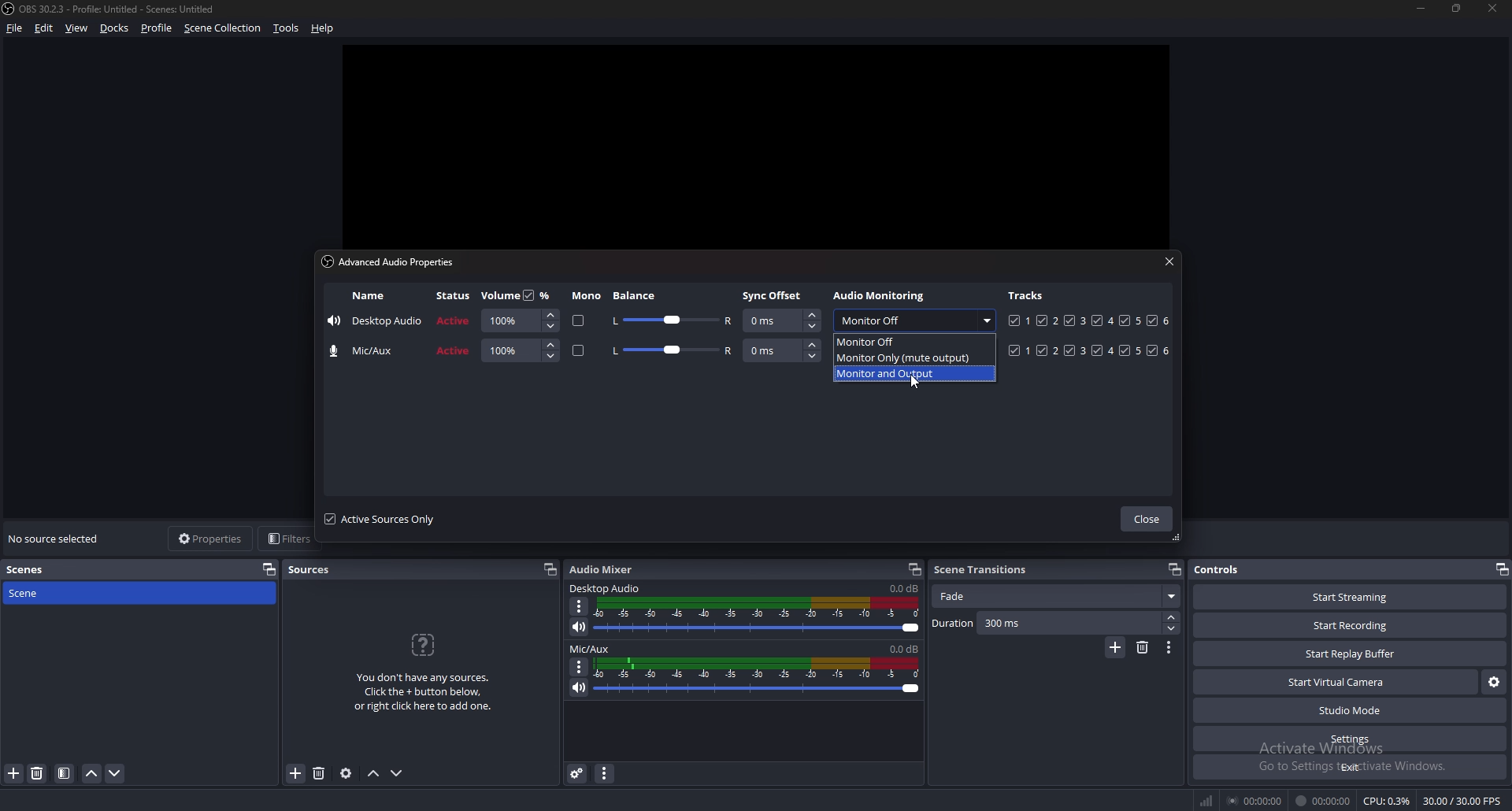  What do you see at coordinates (57, 538) in the screenshot?
I see `no source selected` at bounding box center [57, 538].